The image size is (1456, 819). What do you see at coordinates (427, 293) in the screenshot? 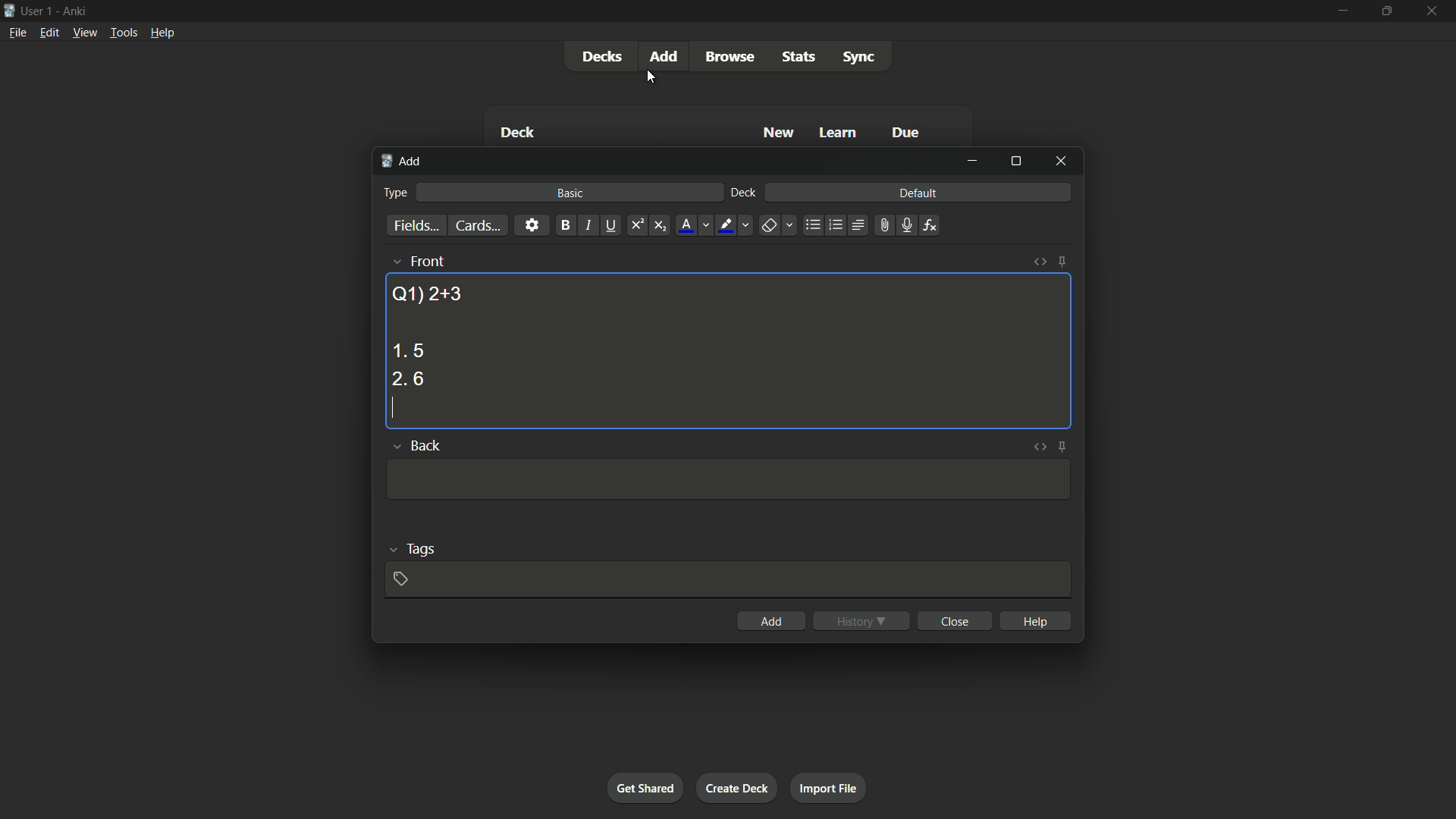
I see `question` at bounding box center [427, 293].